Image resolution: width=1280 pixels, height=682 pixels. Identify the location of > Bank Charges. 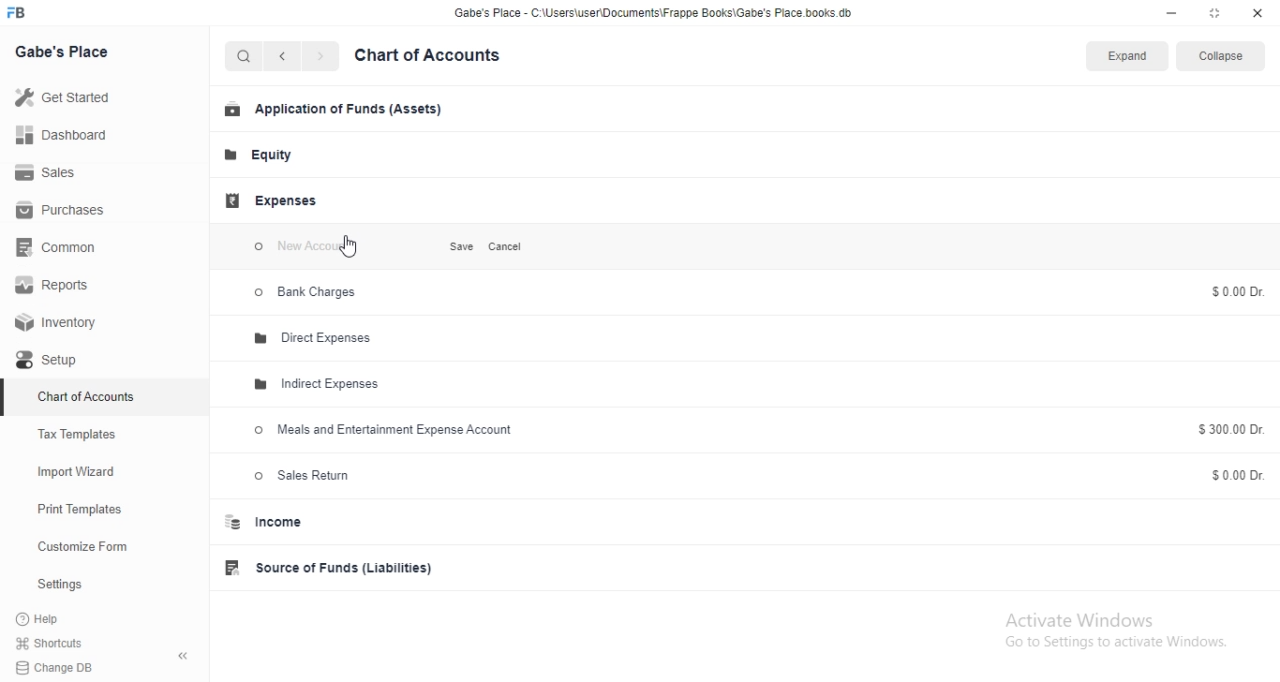
(316, 296).